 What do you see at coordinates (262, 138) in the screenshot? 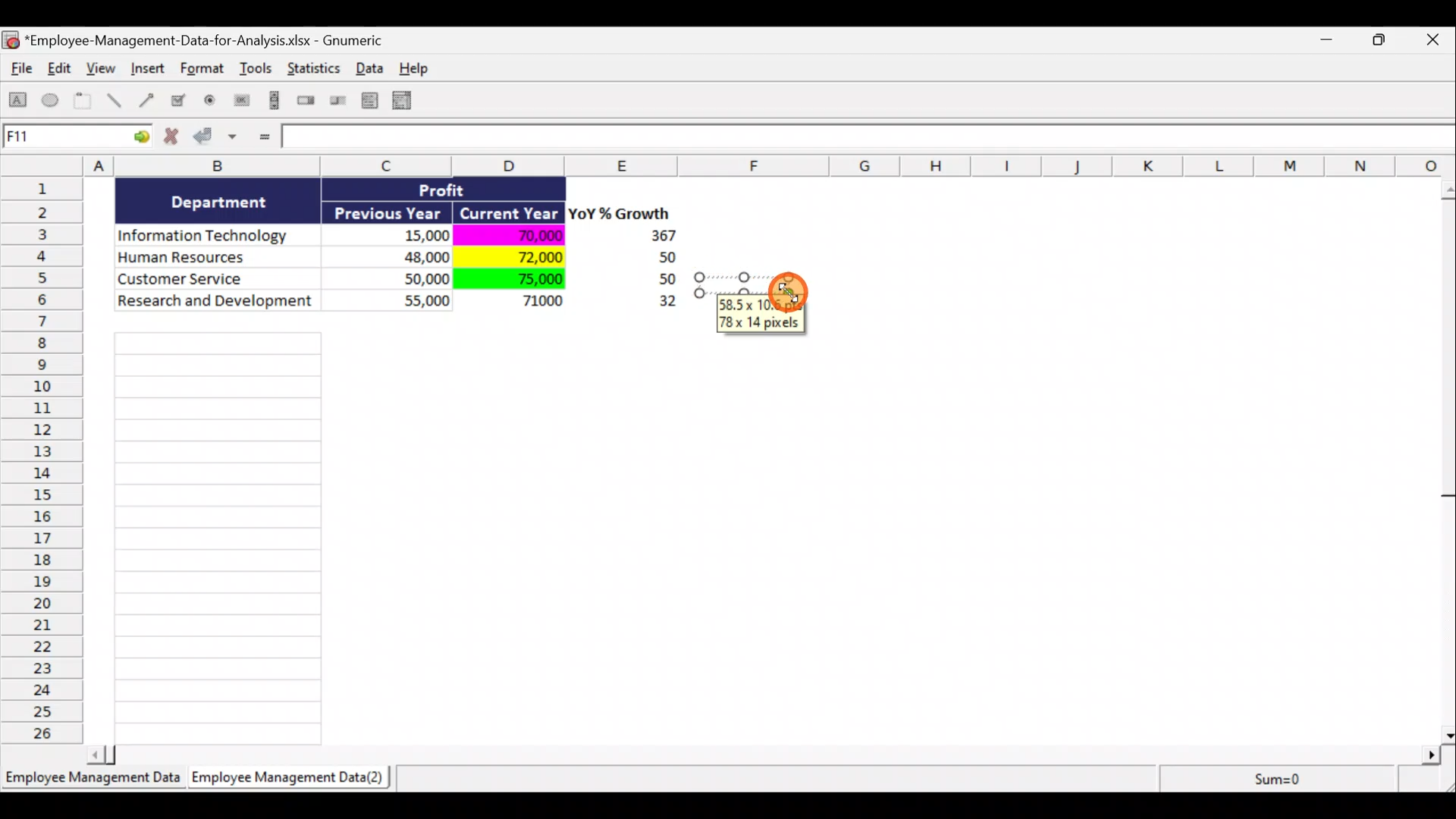
I see `Enter formula` at bounding box center [262, 138].